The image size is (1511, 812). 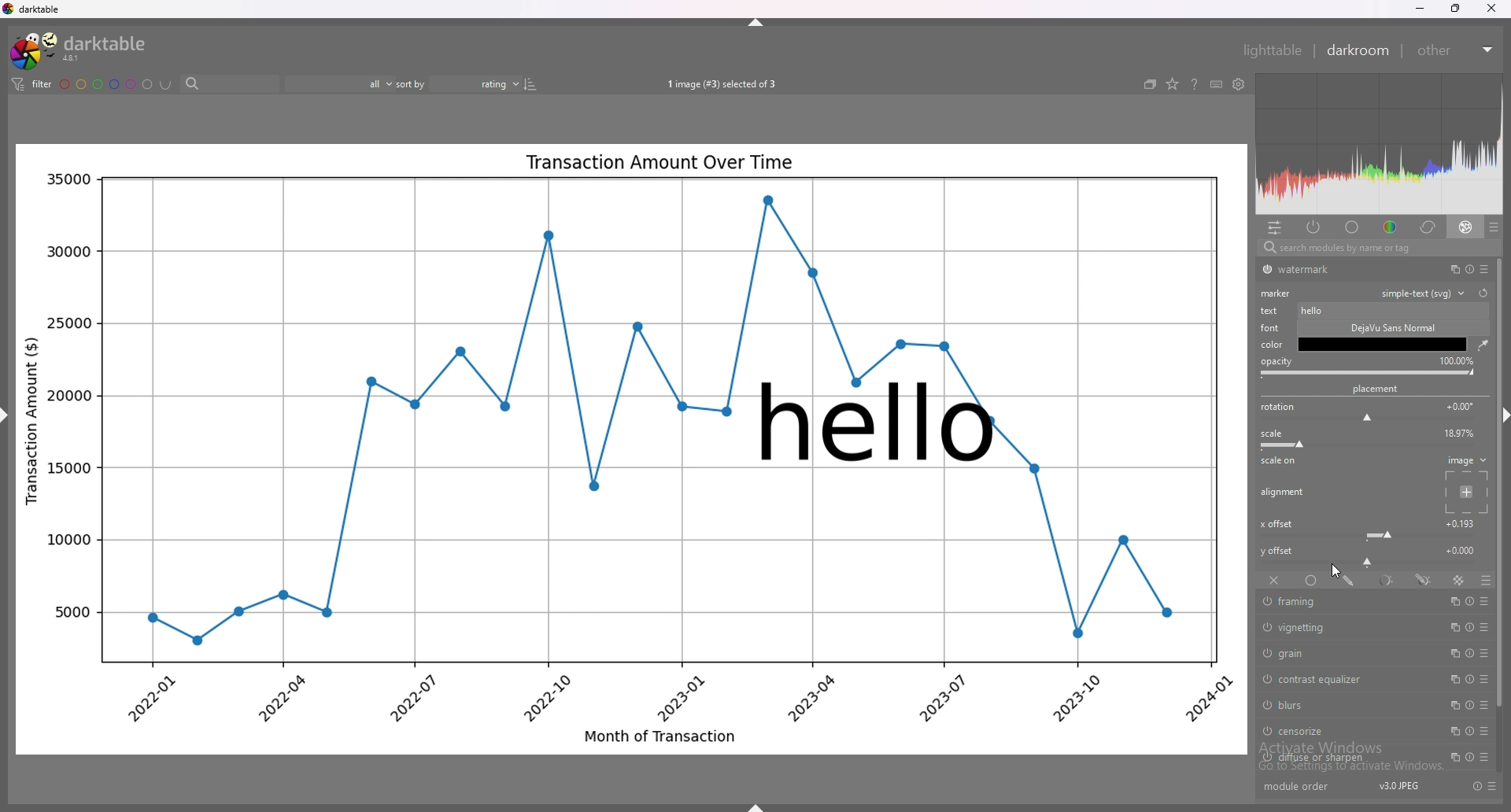 I want to click on scale percentage, so click(x=1456, y=433).